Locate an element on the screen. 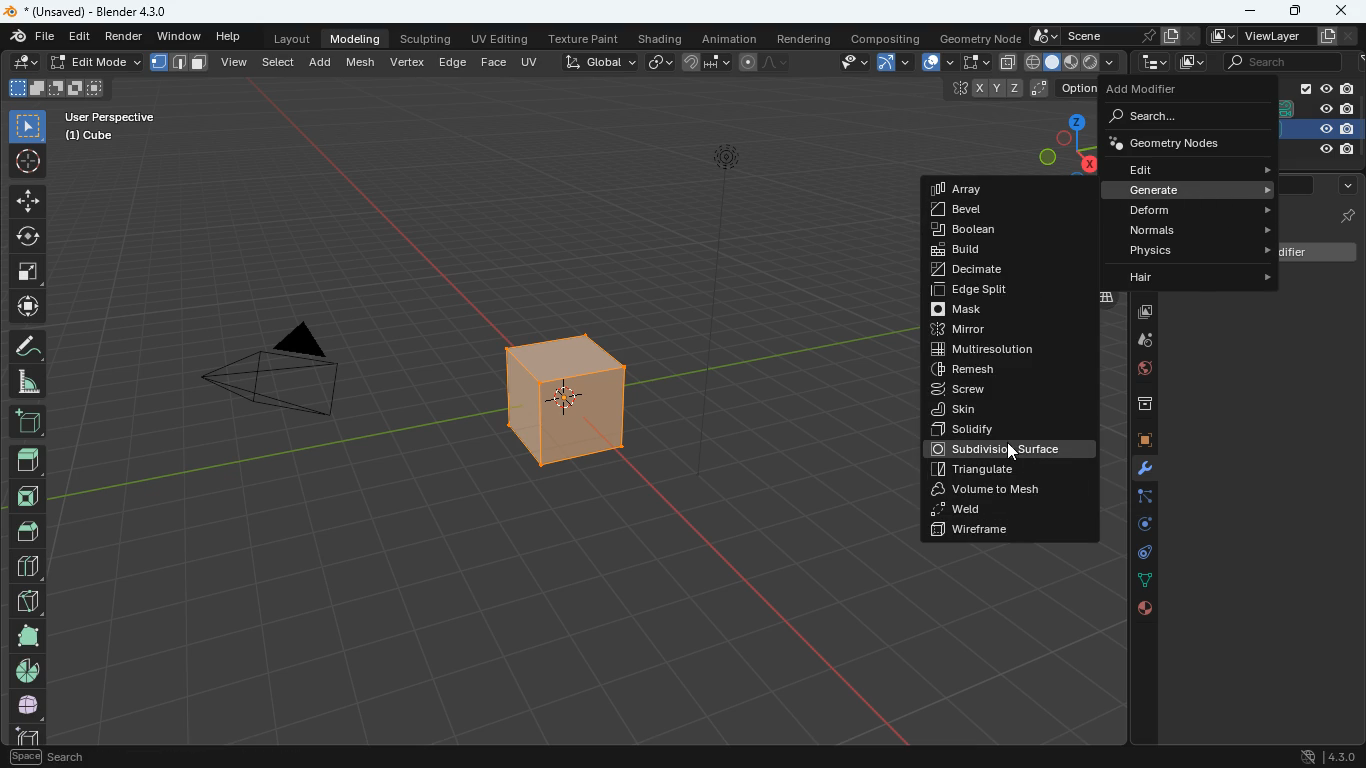 The height and width of the screenshot is (768, 1366). move is located at coordinates (28, 309).